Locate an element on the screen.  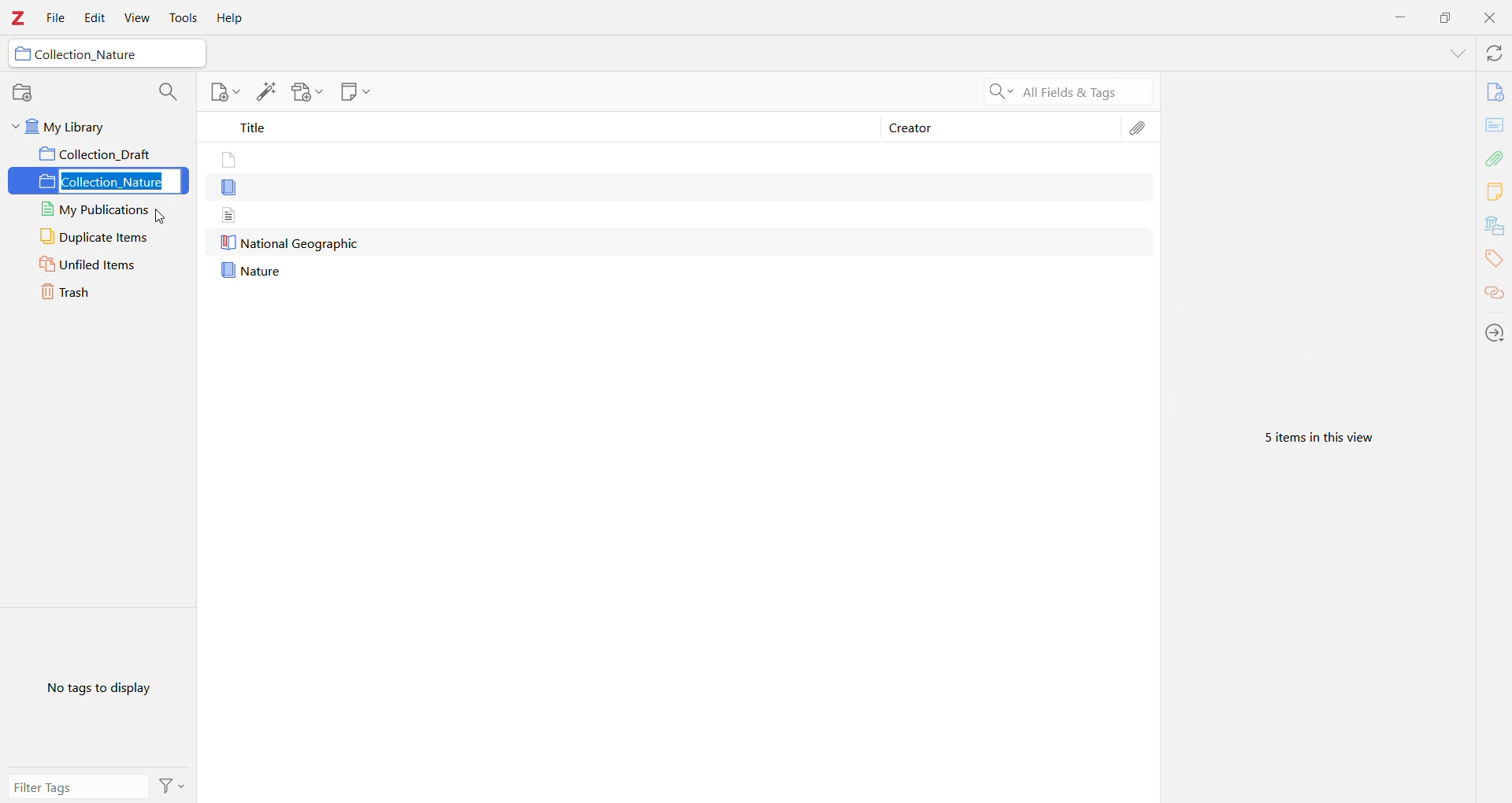
Nature geographic is located at coordinates (689, 243).